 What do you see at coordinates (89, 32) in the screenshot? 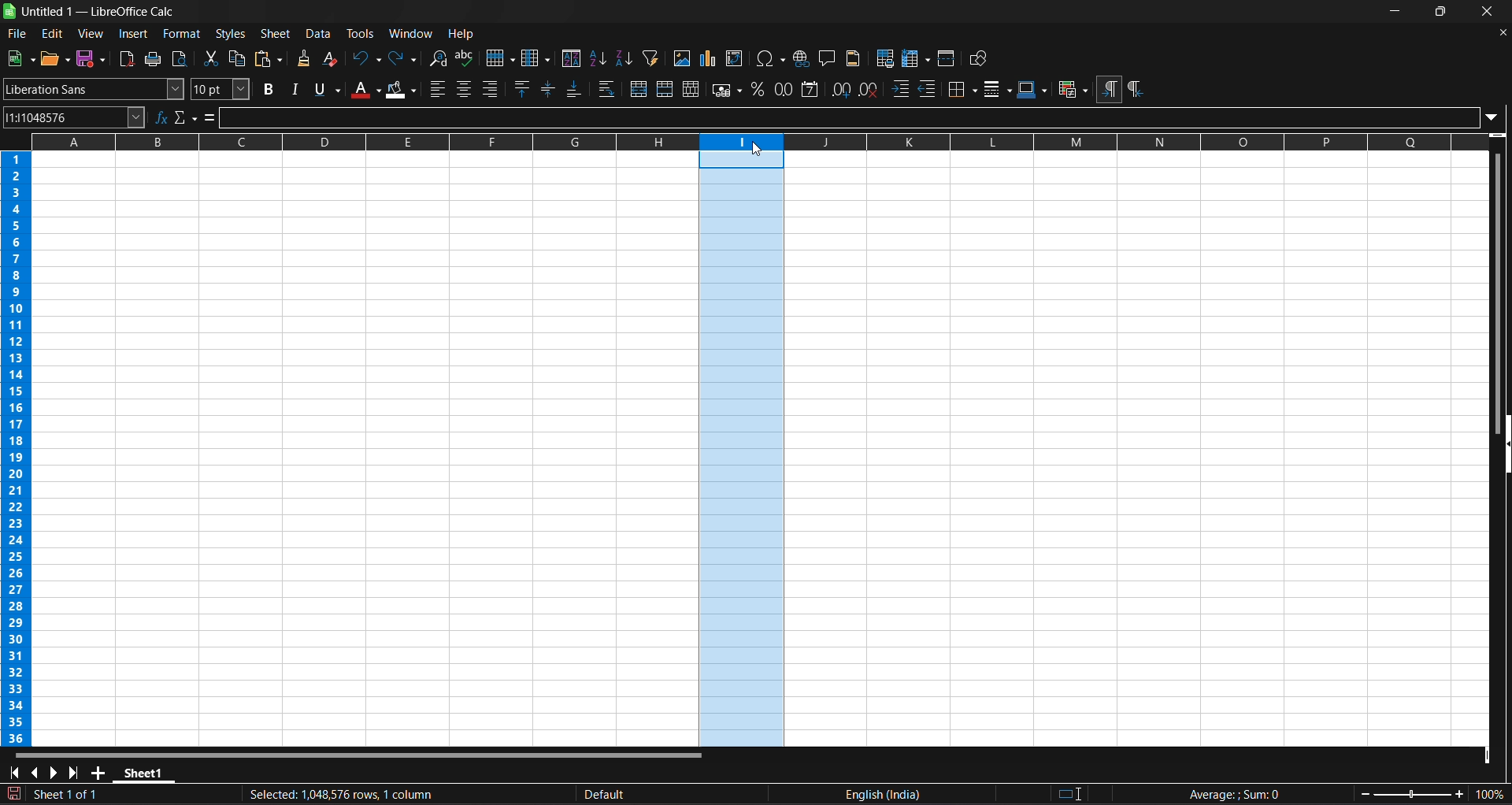
I see `view` at bounding box center [89, 32].